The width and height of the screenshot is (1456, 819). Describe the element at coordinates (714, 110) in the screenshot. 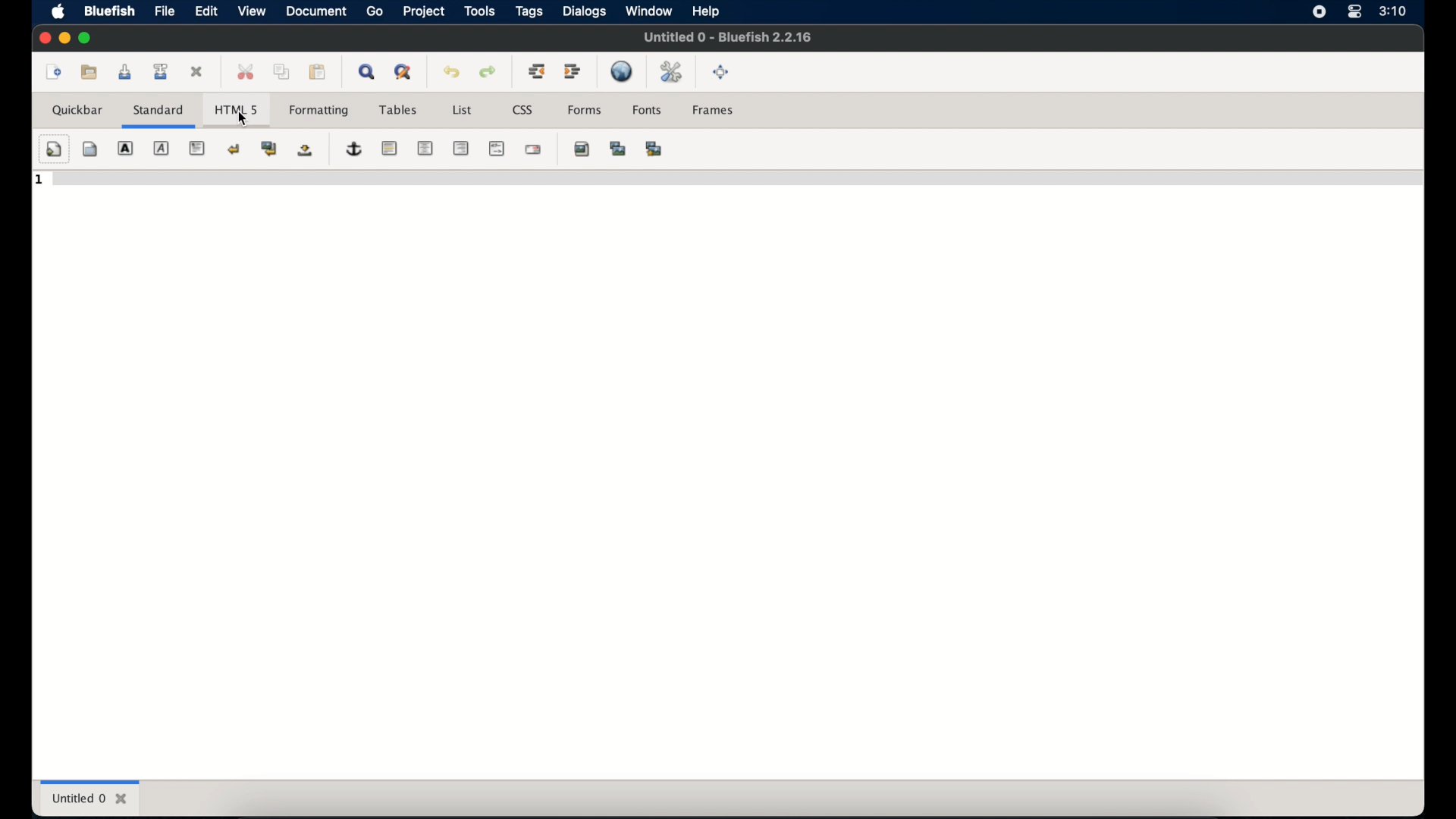

I see `frames` at that location.